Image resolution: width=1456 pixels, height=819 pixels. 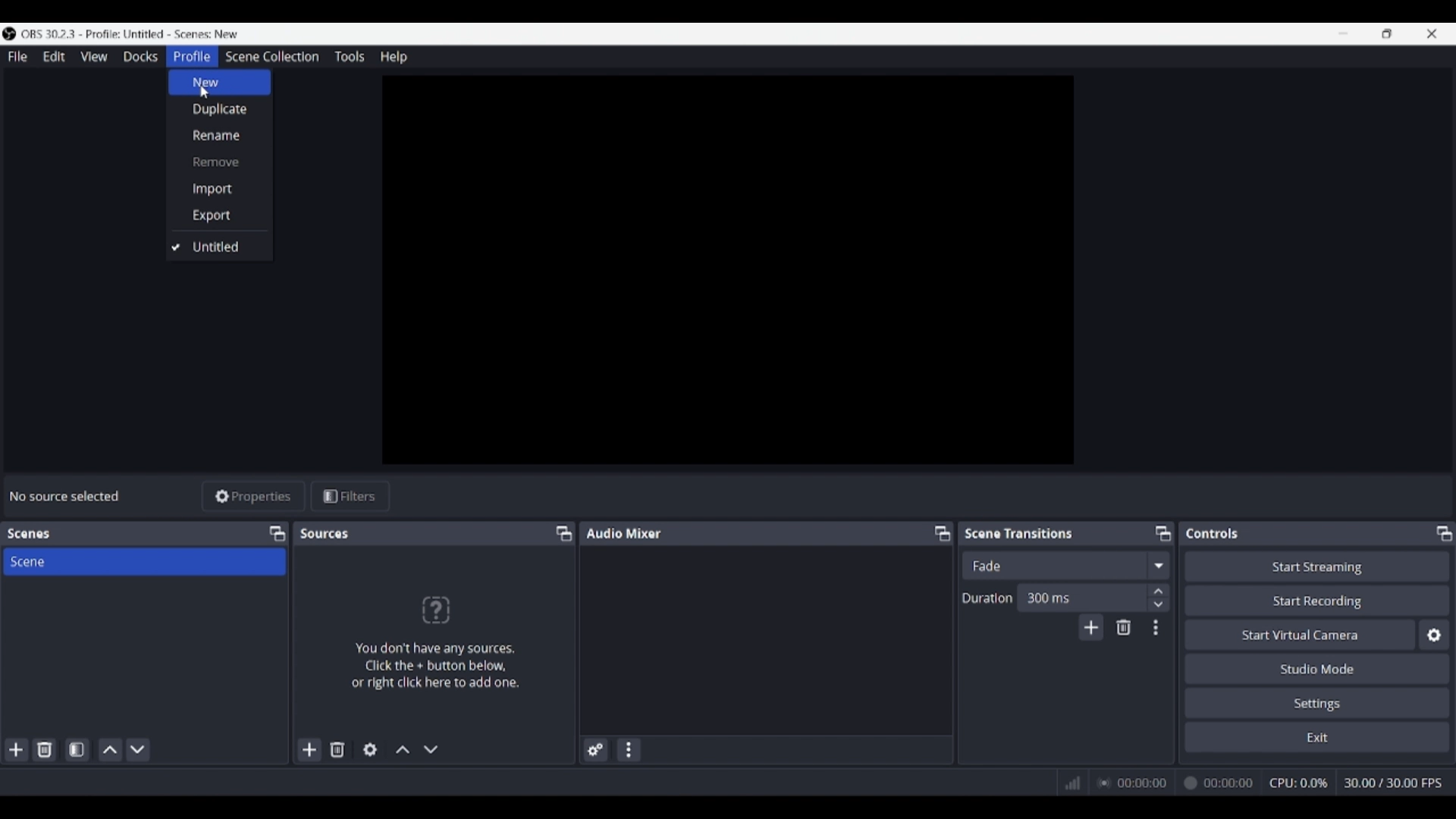 What do you see at coordinates (192, 57) in the screenshot?
I see `Profile menu, highlighted by cursor` at bounding box center [192, 57].